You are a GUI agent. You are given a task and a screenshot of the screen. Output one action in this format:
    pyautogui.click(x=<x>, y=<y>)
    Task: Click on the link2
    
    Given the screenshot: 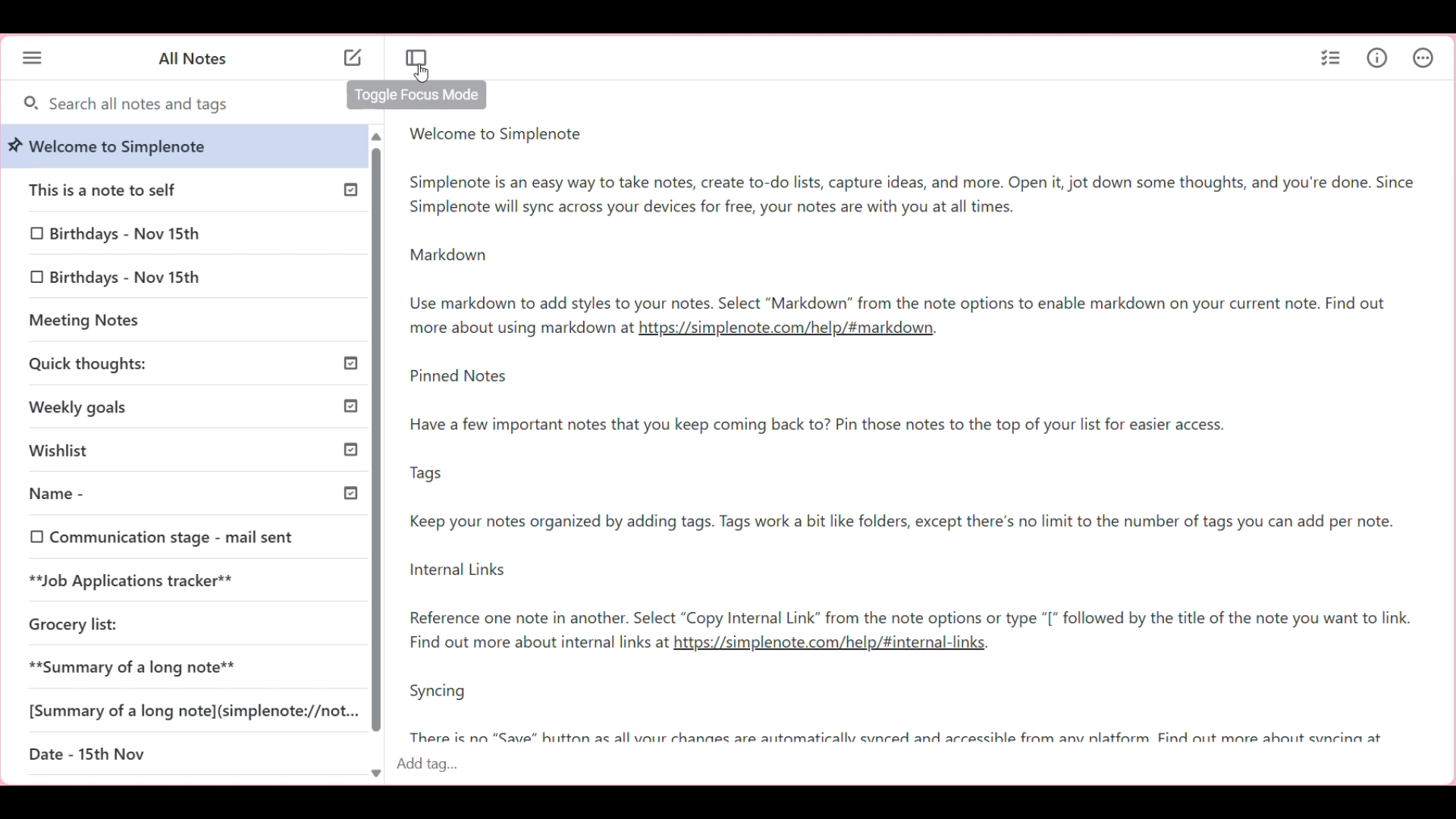 What is the action you would take?
    pyautogui.click(x=843, y=645)
    